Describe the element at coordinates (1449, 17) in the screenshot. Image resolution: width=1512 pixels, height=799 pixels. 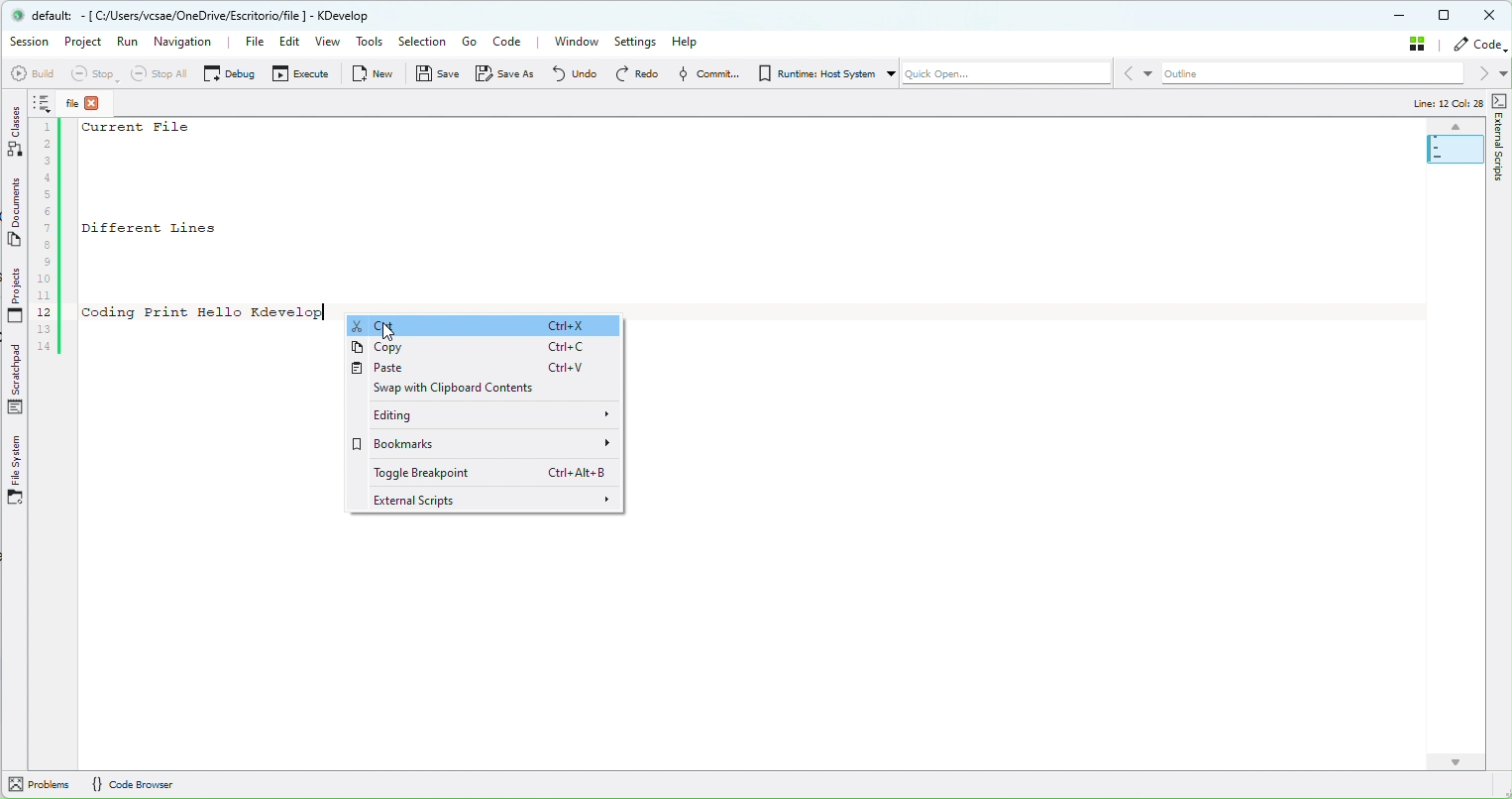
I see `Maximize` at that location.